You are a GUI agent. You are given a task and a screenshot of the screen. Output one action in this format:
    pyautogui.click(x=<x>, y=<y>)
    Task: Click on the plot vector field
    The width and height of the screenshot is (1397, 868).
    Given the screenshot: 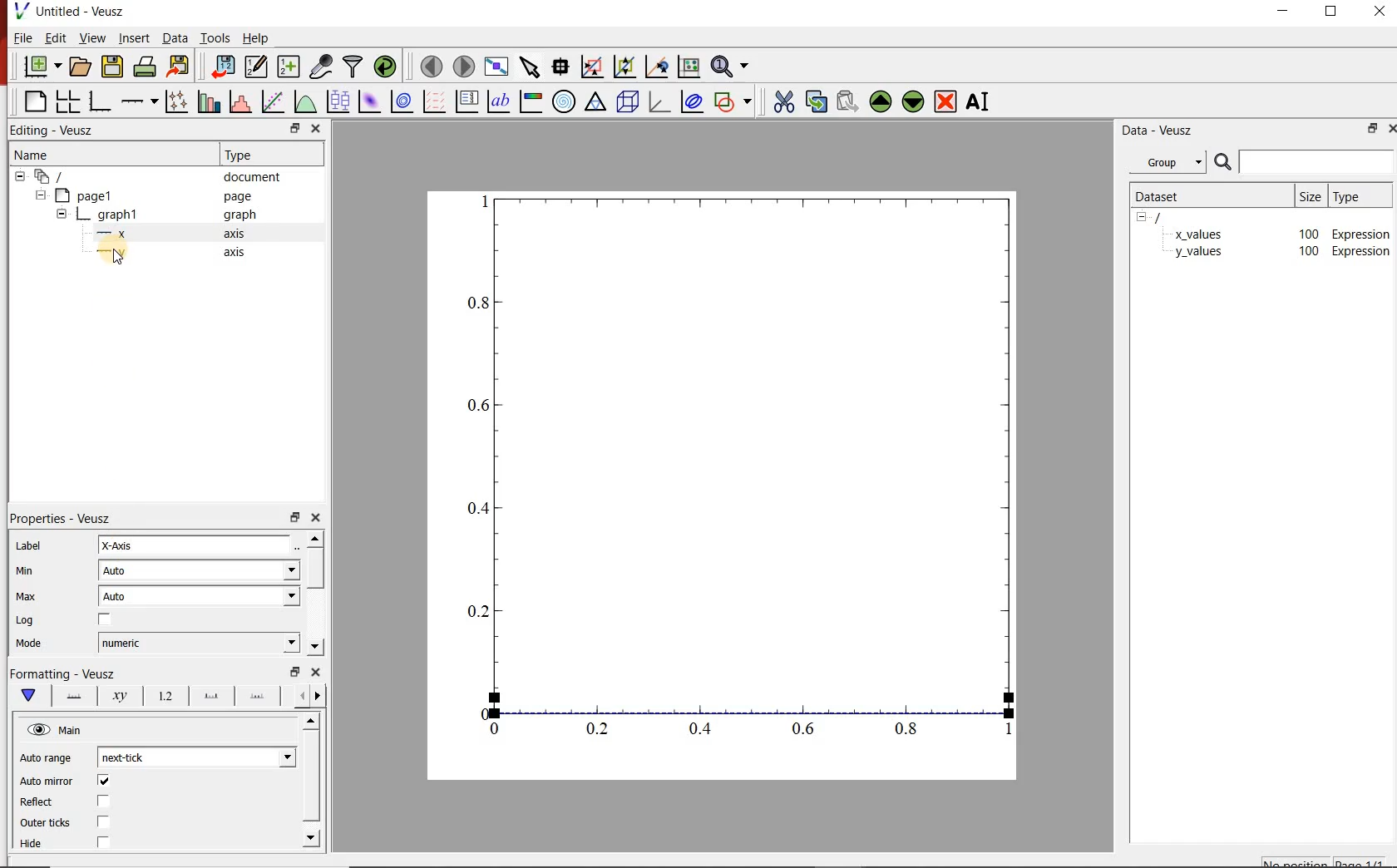 What is the action you would take?
    pyautogui.click(x=434, y=101)
    